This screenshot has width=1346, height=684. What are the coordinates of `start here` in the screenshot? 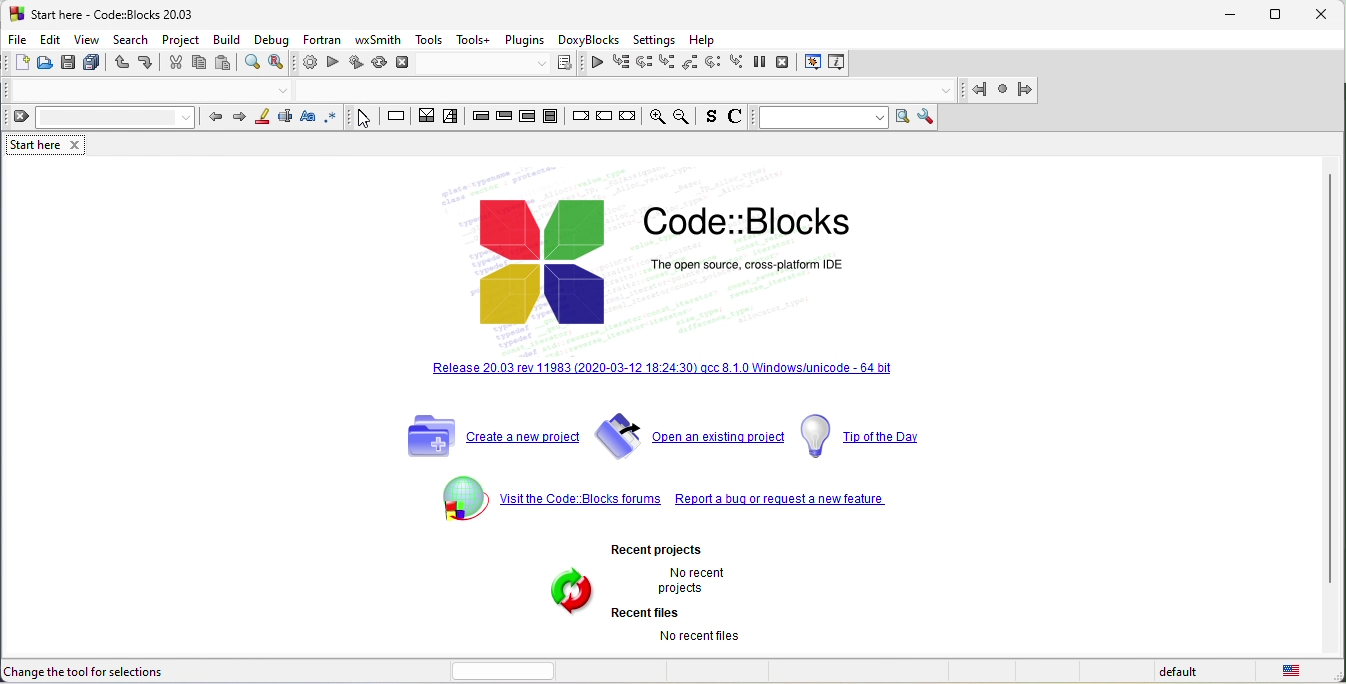 It's located at (32, 145).